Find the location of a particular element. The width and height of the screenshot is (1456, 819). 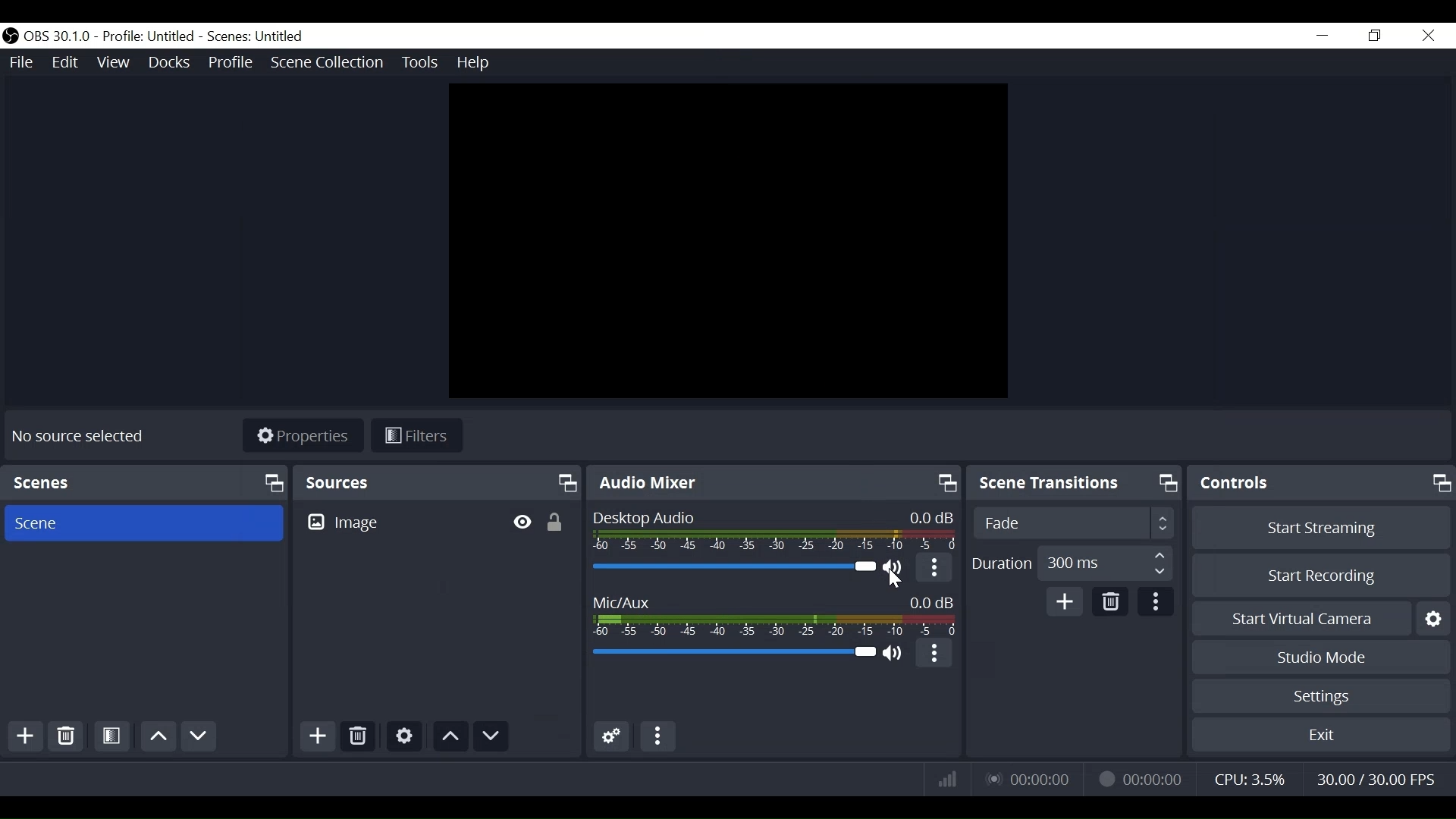

Help is located at coordinates (475, 63).